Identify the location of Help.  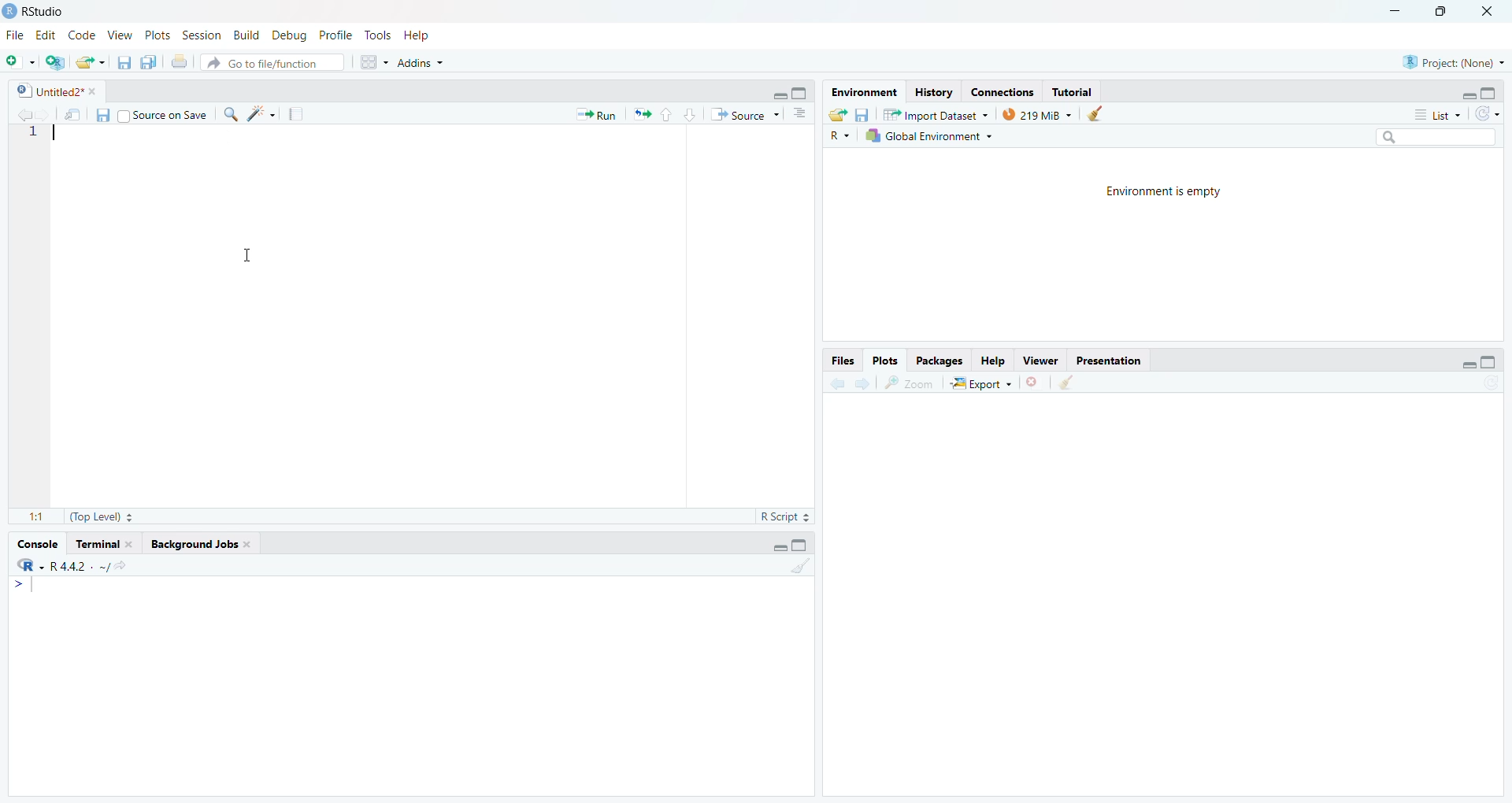
(418, 35).